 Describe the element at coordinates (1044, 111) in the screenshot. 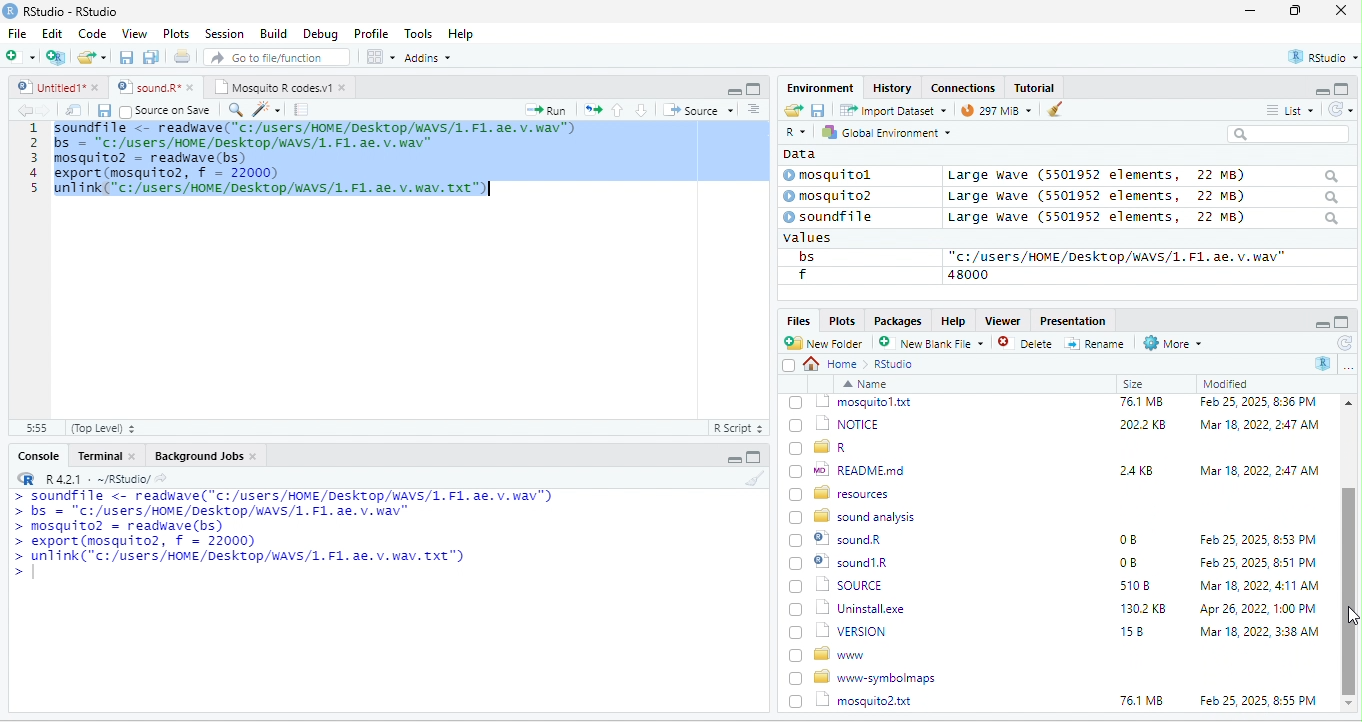

I see `brush` at that location.